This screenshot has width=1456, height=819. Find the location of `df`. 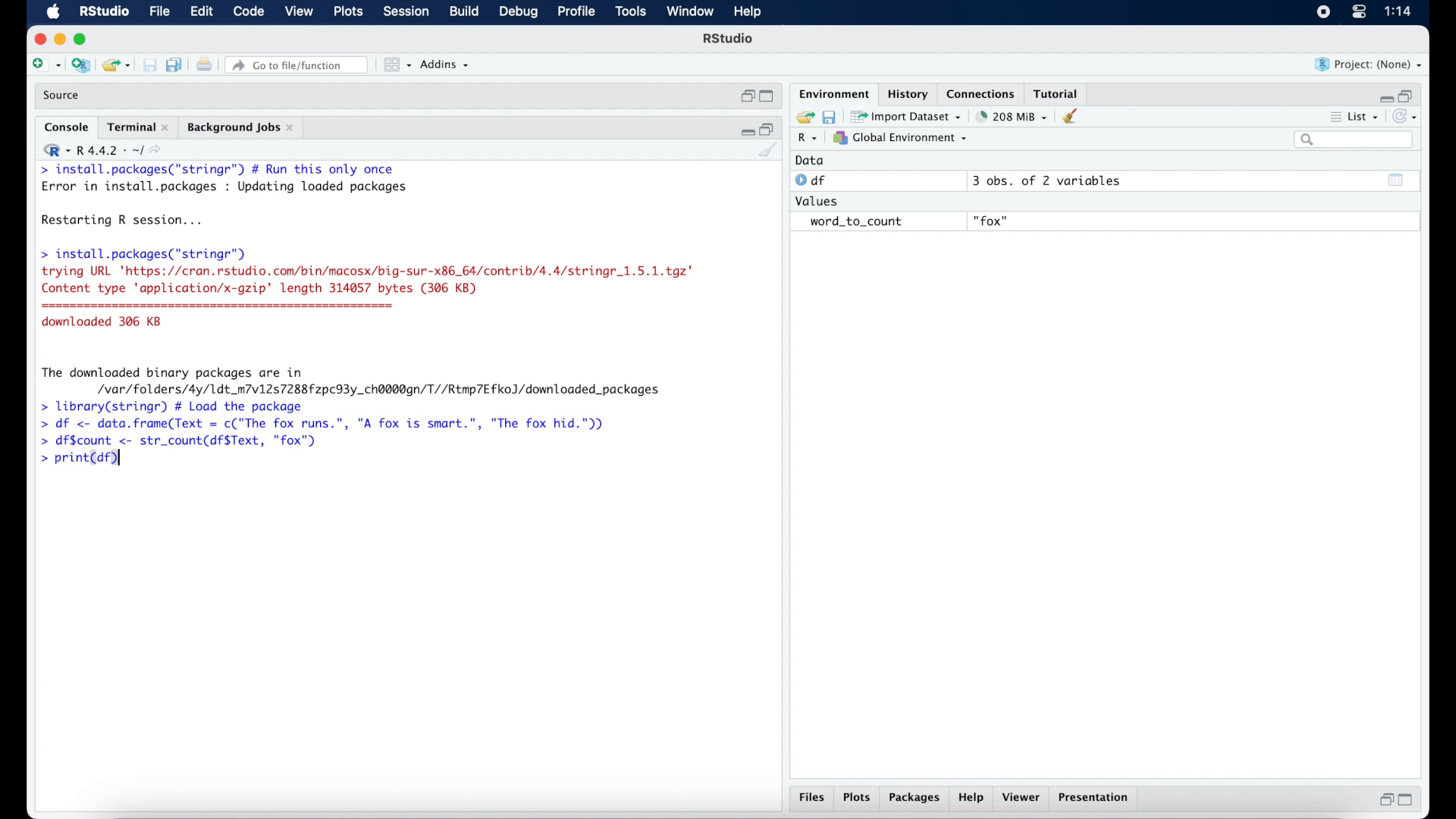

df is located at coordinates (813, 180).